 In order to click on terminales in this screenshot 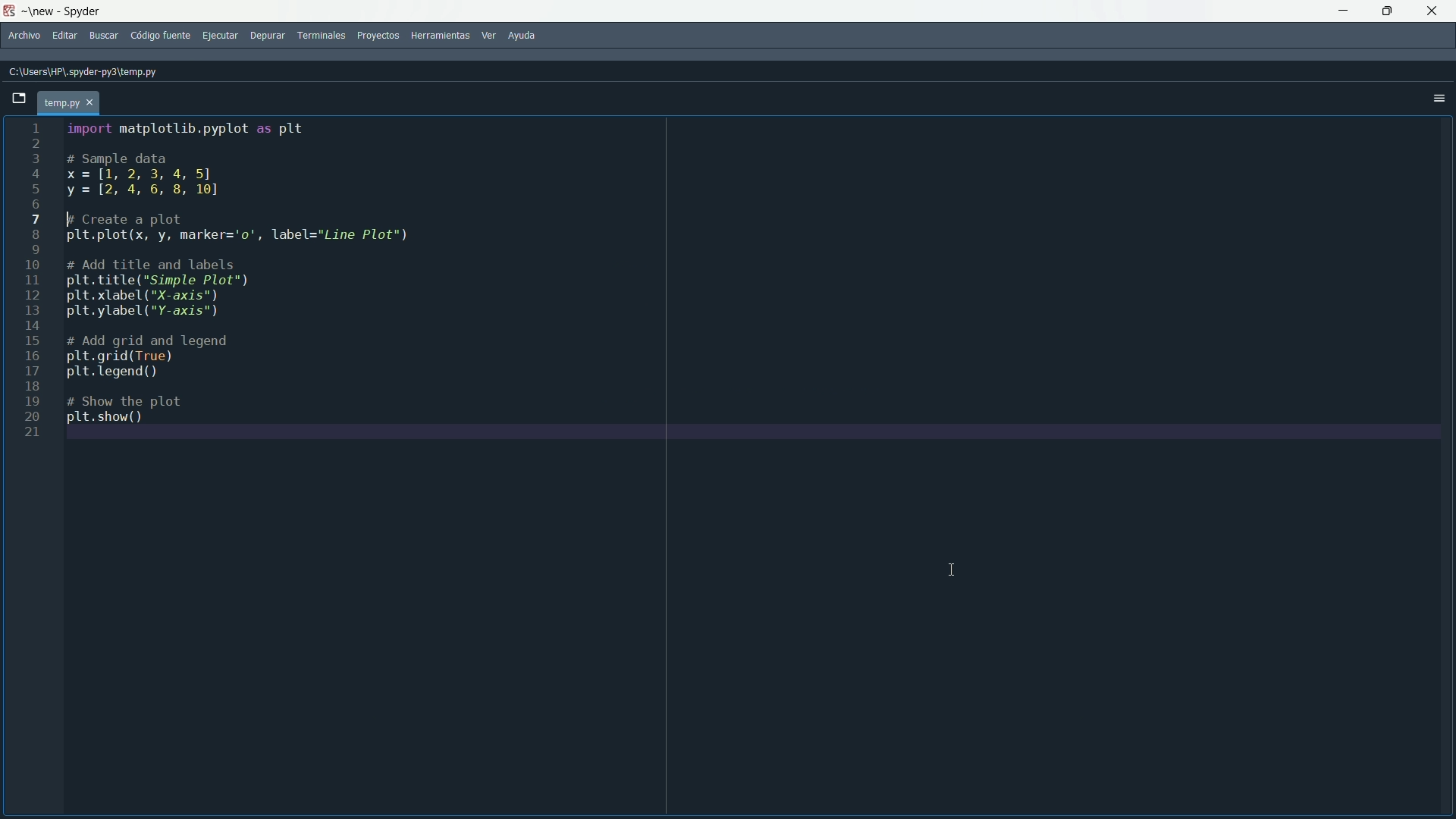, I will do `click(322, 36)`.